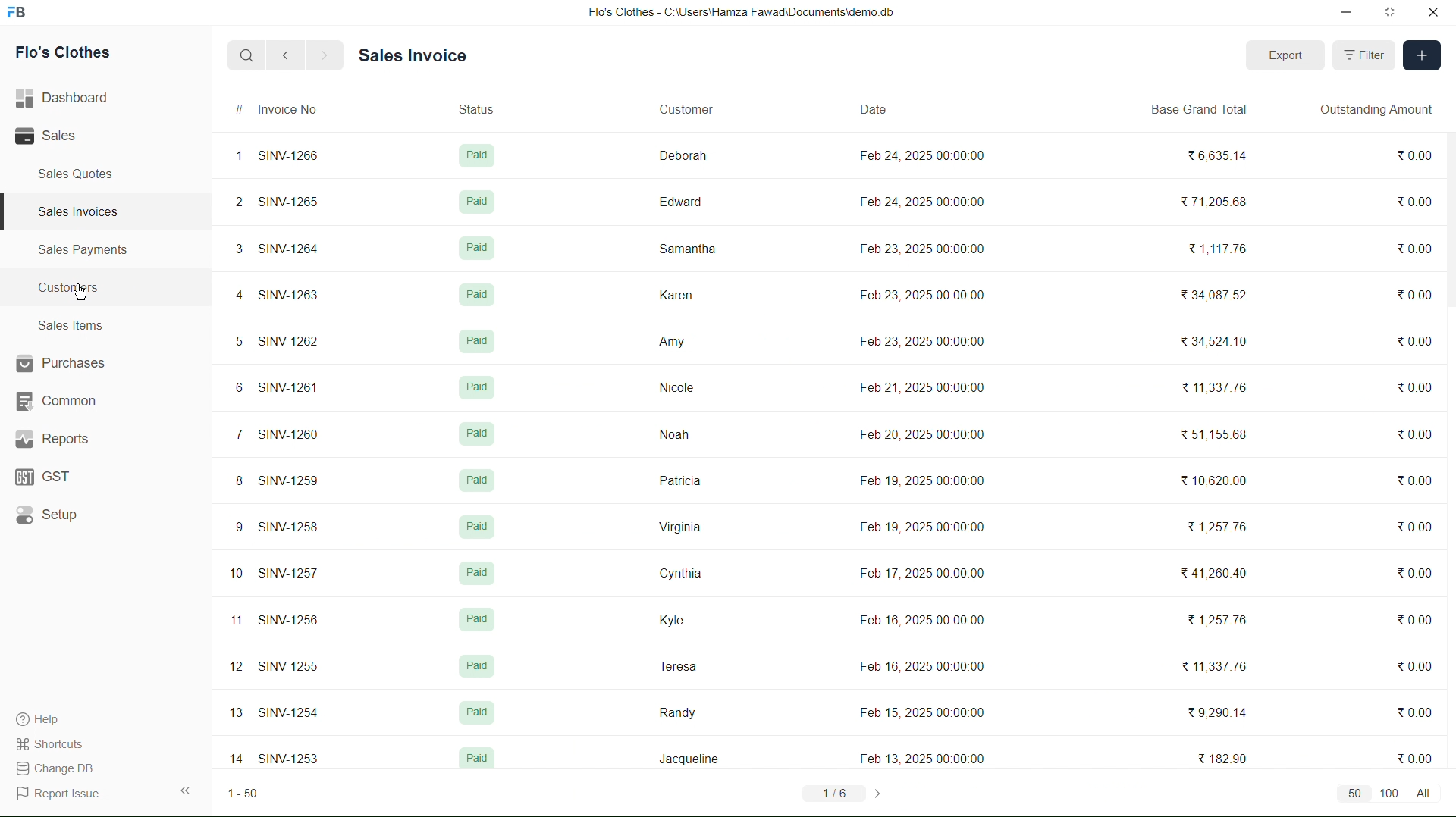  I want to click on cursor, so click(83, 293).